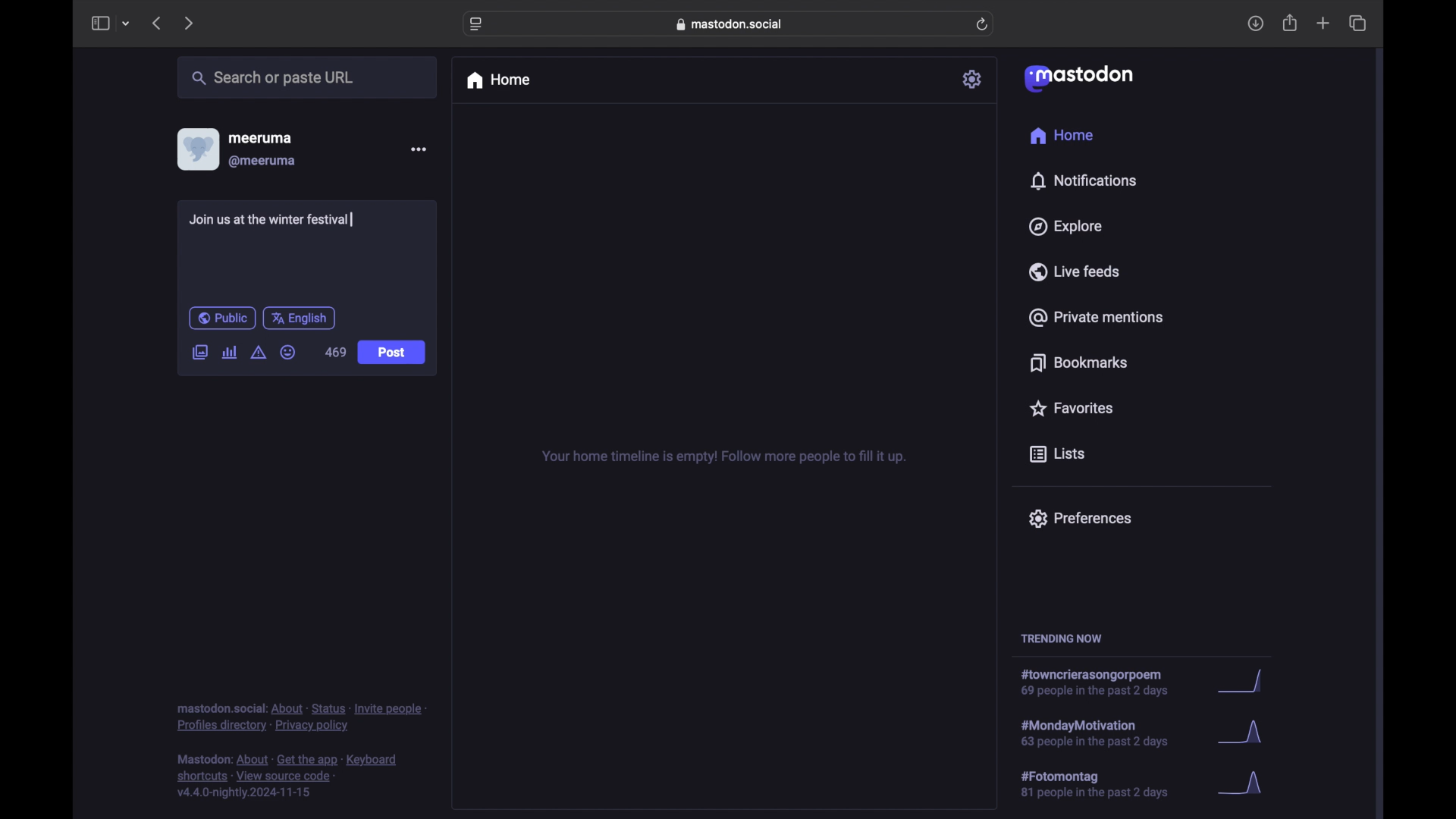  I want to click on preferences, so click(1079, 517).